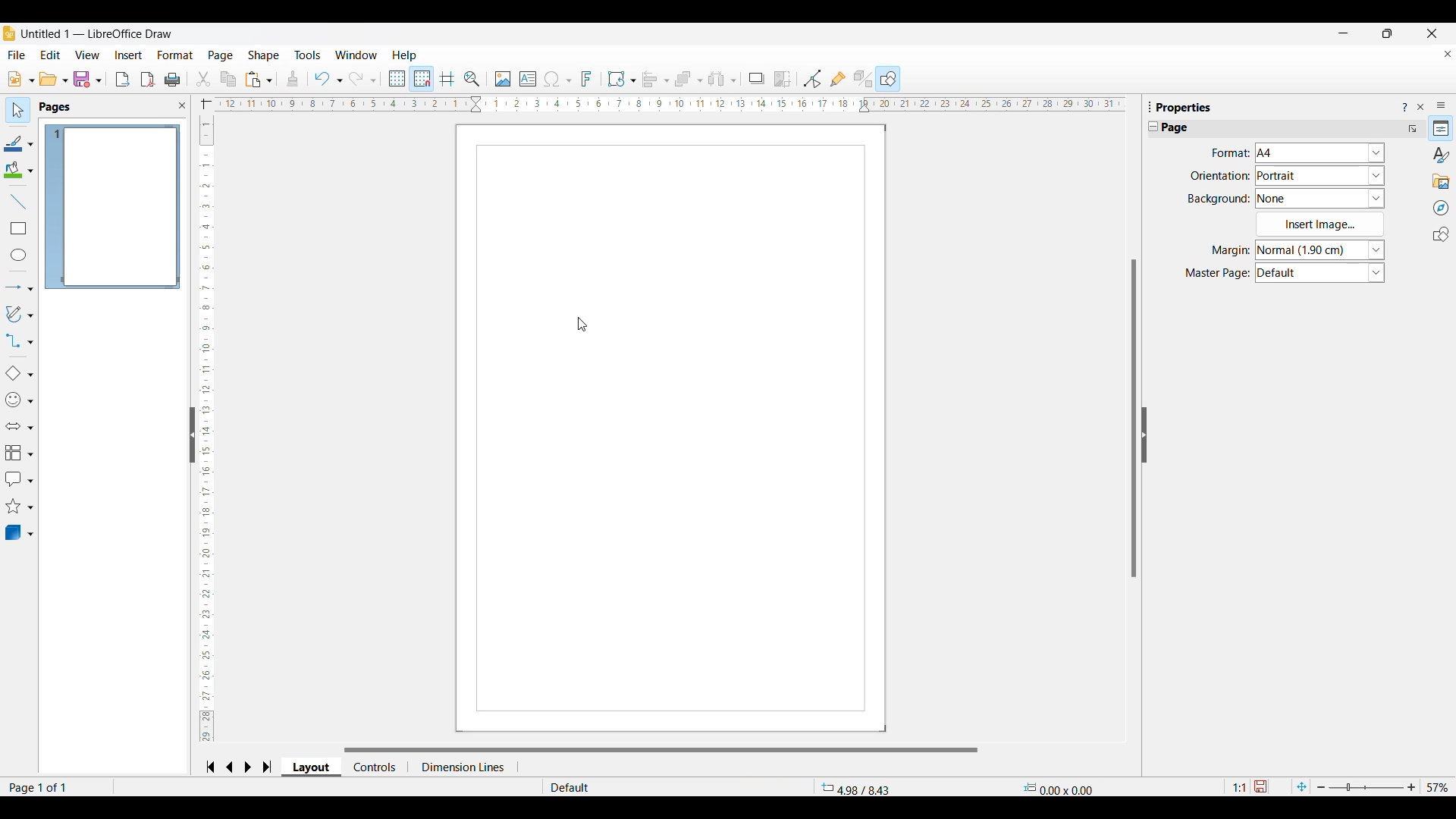  Describe the element at coordinates (20, 453) in the screenshot. I see `Flowchart options` at that location.